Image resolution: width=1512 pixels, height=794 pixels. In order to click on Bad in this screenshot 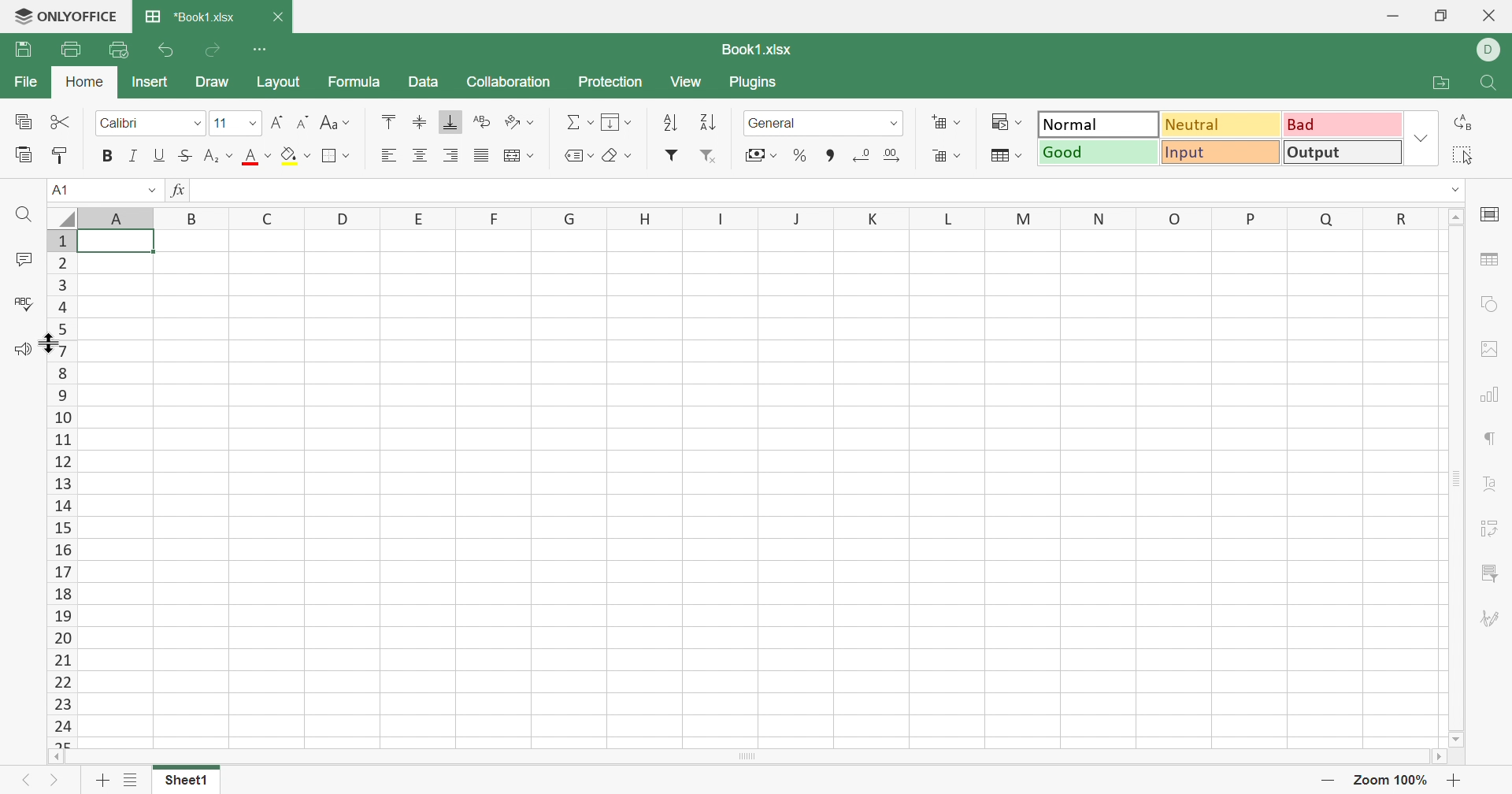, I will do `click(1343, 124)`.